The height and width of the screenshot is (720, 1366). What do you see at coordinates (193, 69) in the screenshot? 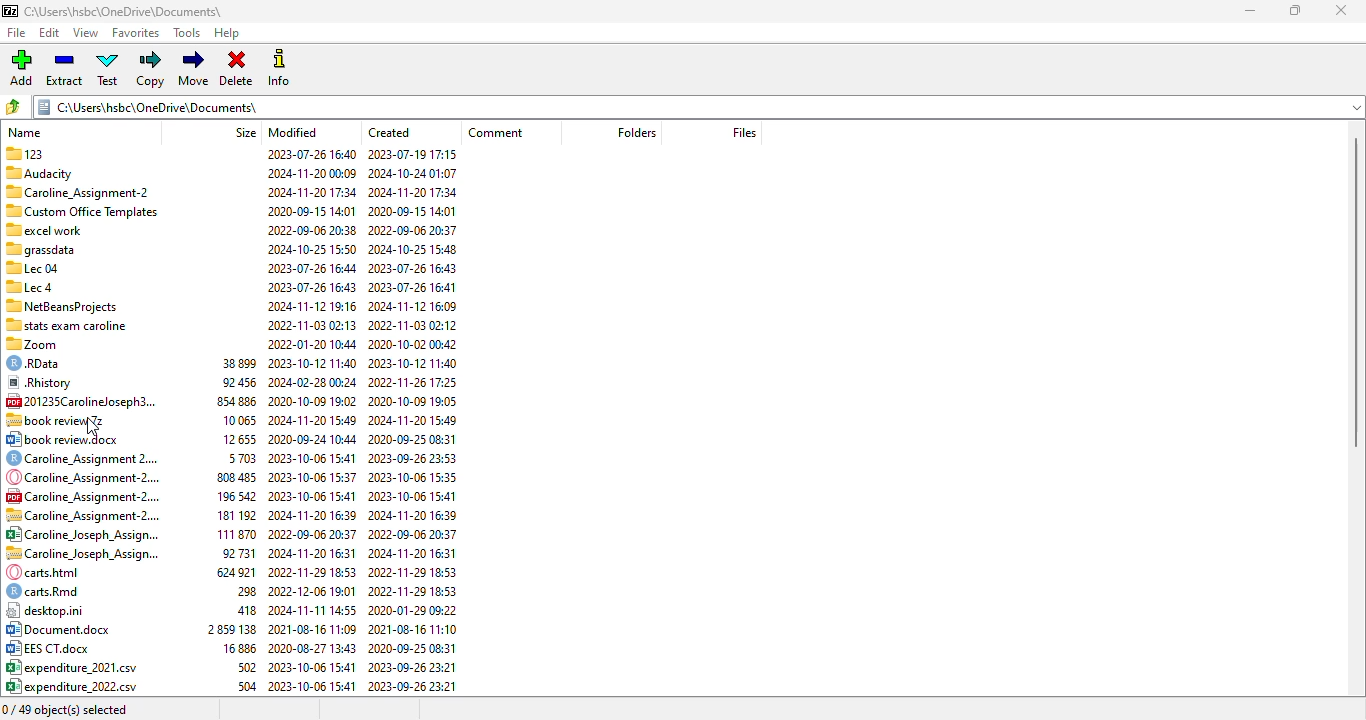
I see `move` at bounding box center [193, 69].